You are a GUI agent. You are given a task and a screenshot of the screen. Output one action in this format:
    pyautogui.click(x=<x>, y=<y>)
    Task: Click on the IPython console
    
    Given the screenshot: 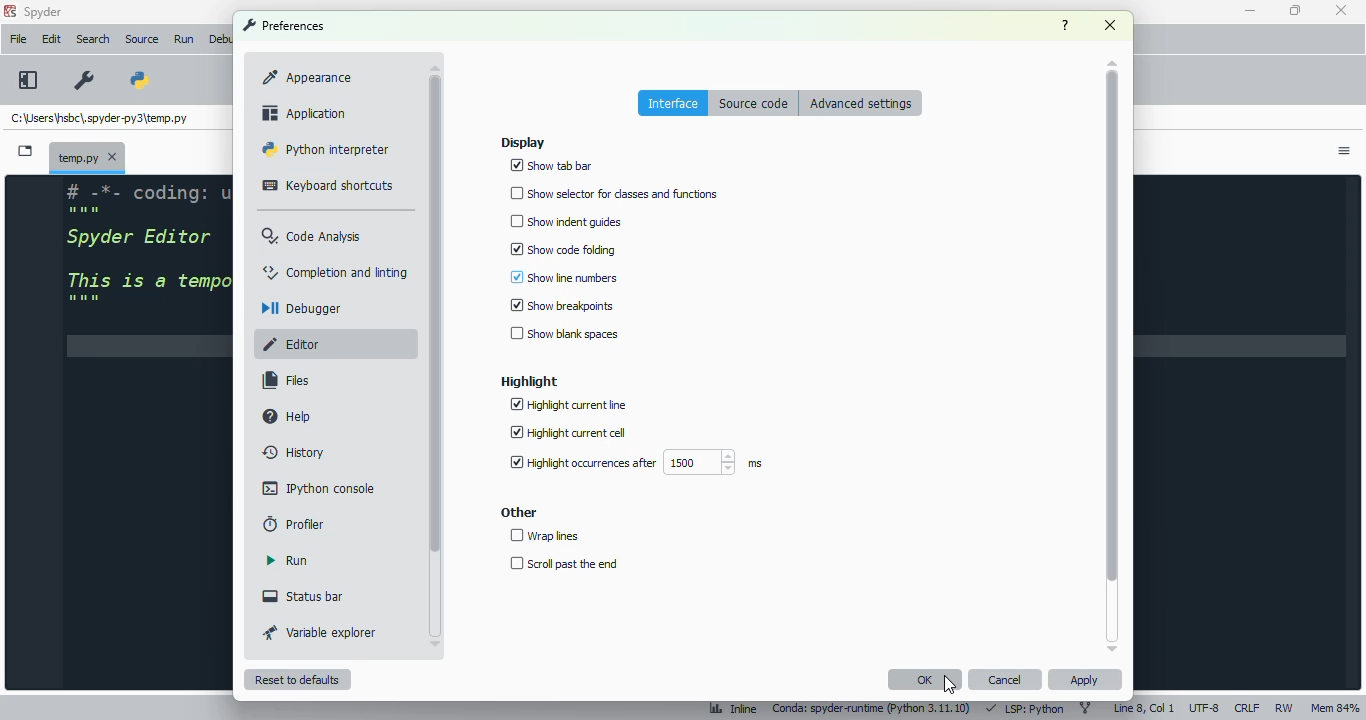 What is the action you would take?
    pyautogui.click(x=319, y=488)
    